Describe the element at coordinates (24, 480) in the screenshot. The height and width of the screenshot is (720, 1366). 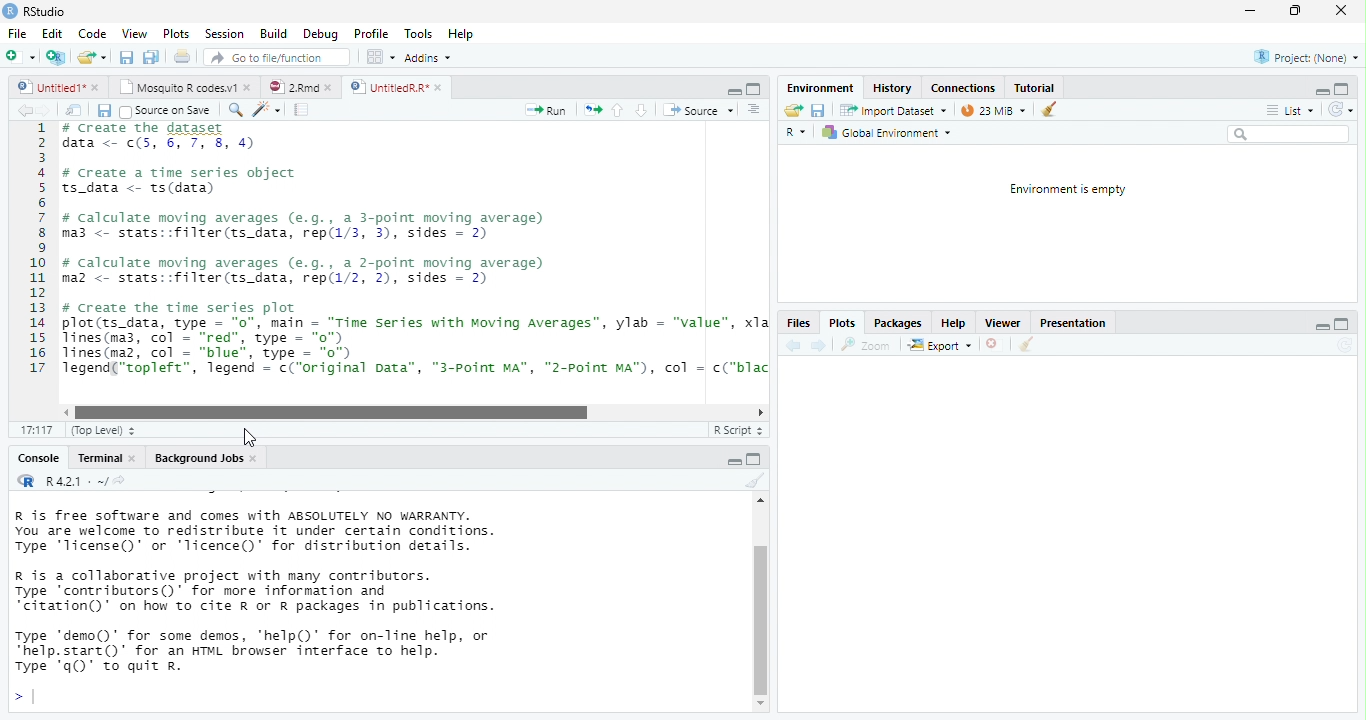
I see `R` at that location.